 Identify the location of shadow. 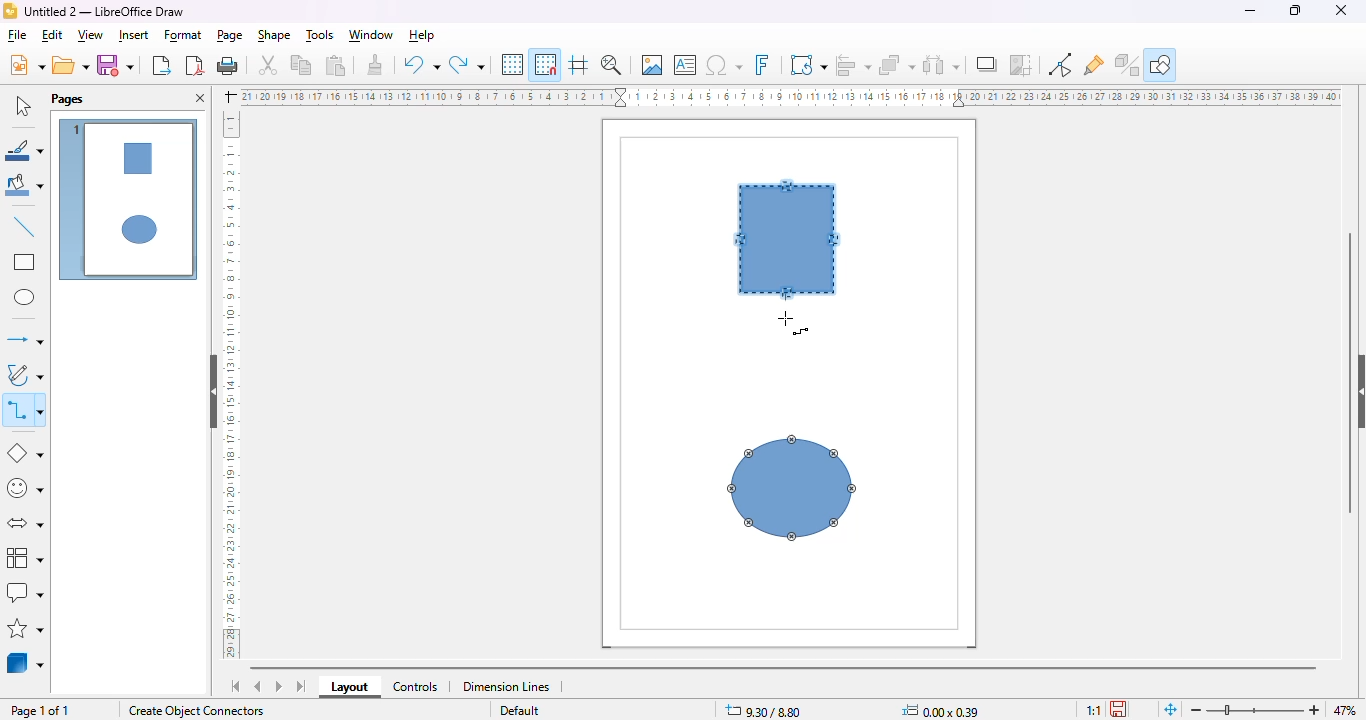
(988, 65).